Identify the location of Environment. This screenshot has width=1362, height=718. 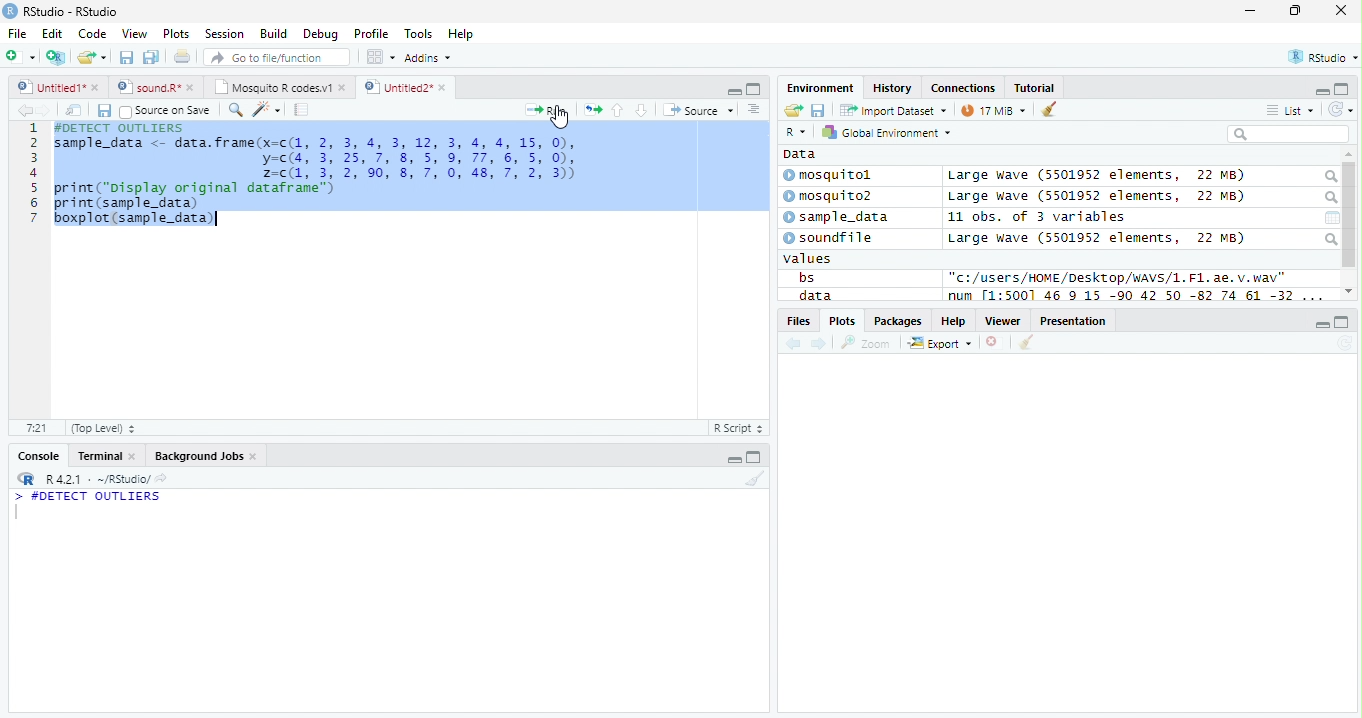
(821, 88).